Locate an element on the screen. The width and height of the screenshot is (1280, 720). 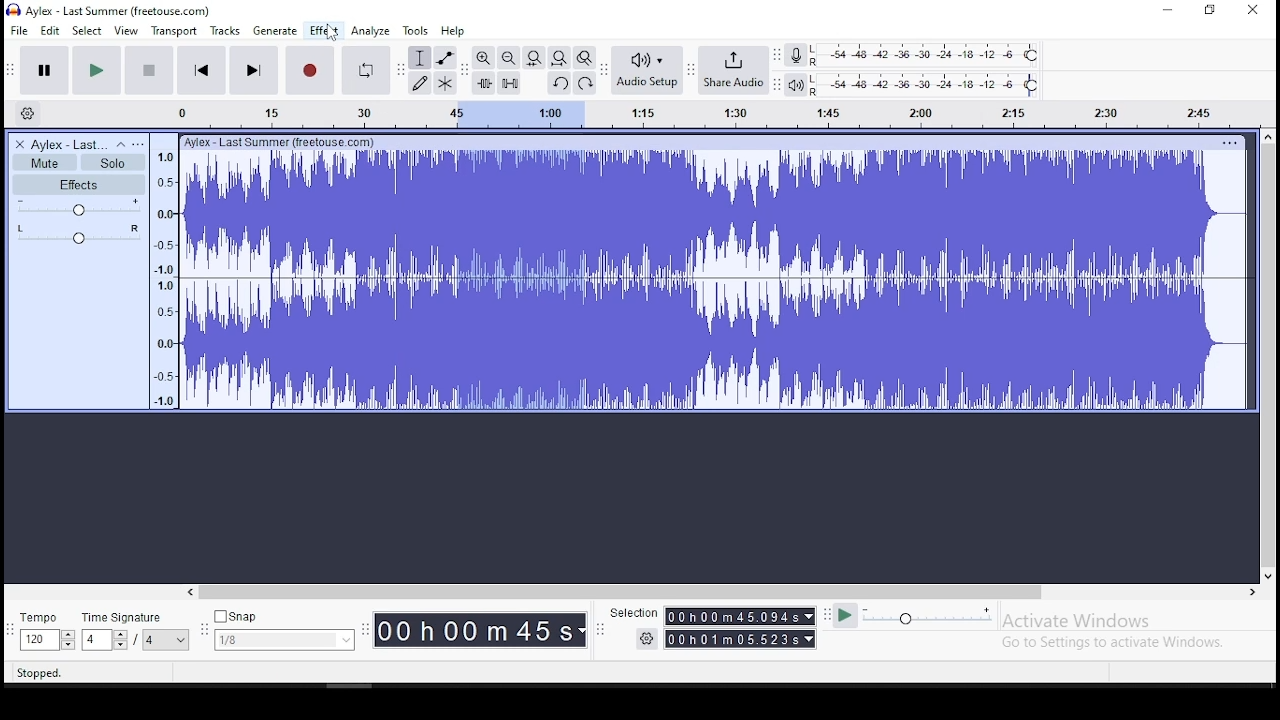
00h00m55989s is located at coordinates (741, 640).